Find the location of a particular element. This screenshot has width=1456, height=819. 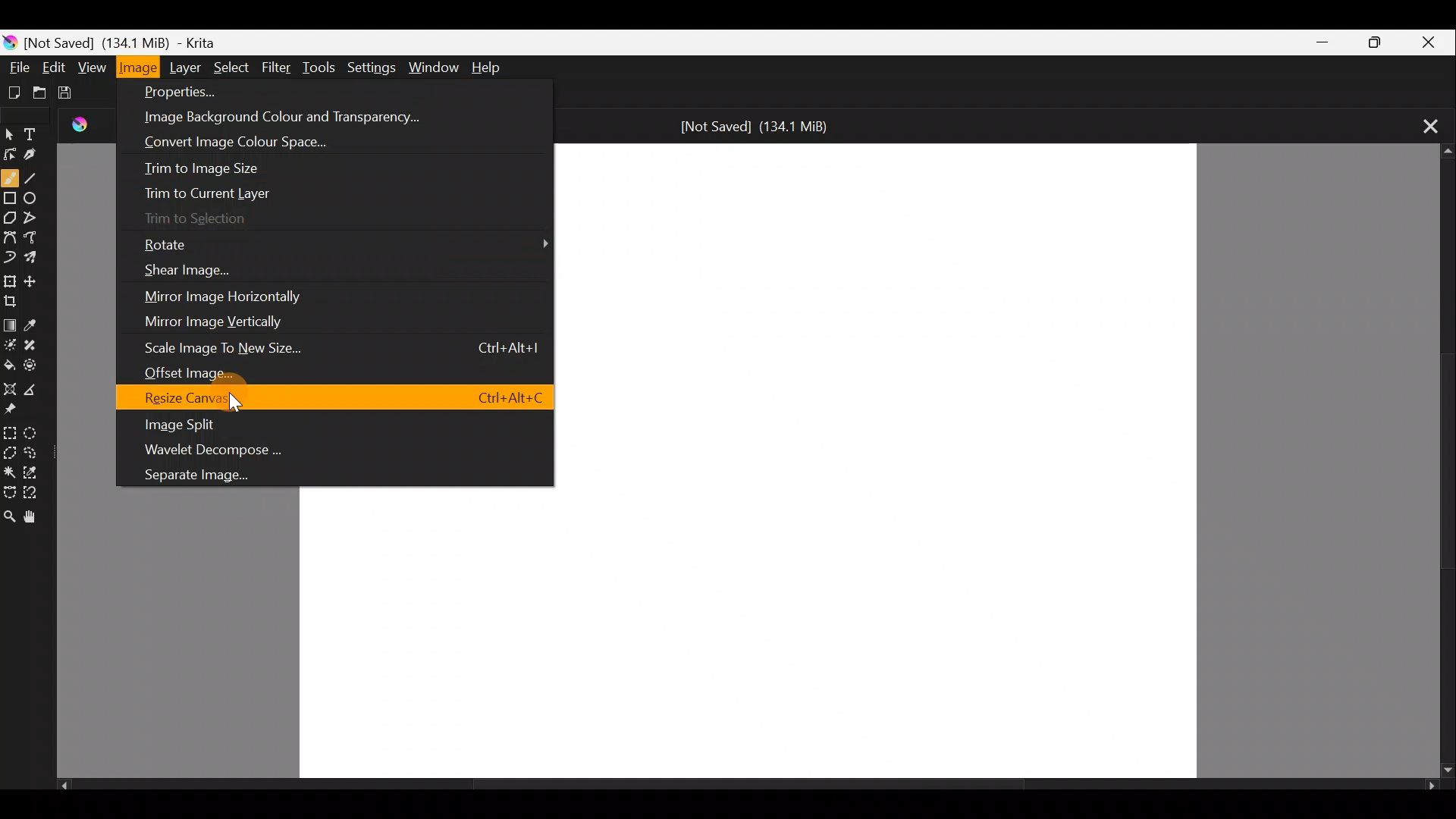

Maximize is located at coordinates (1370, 41).